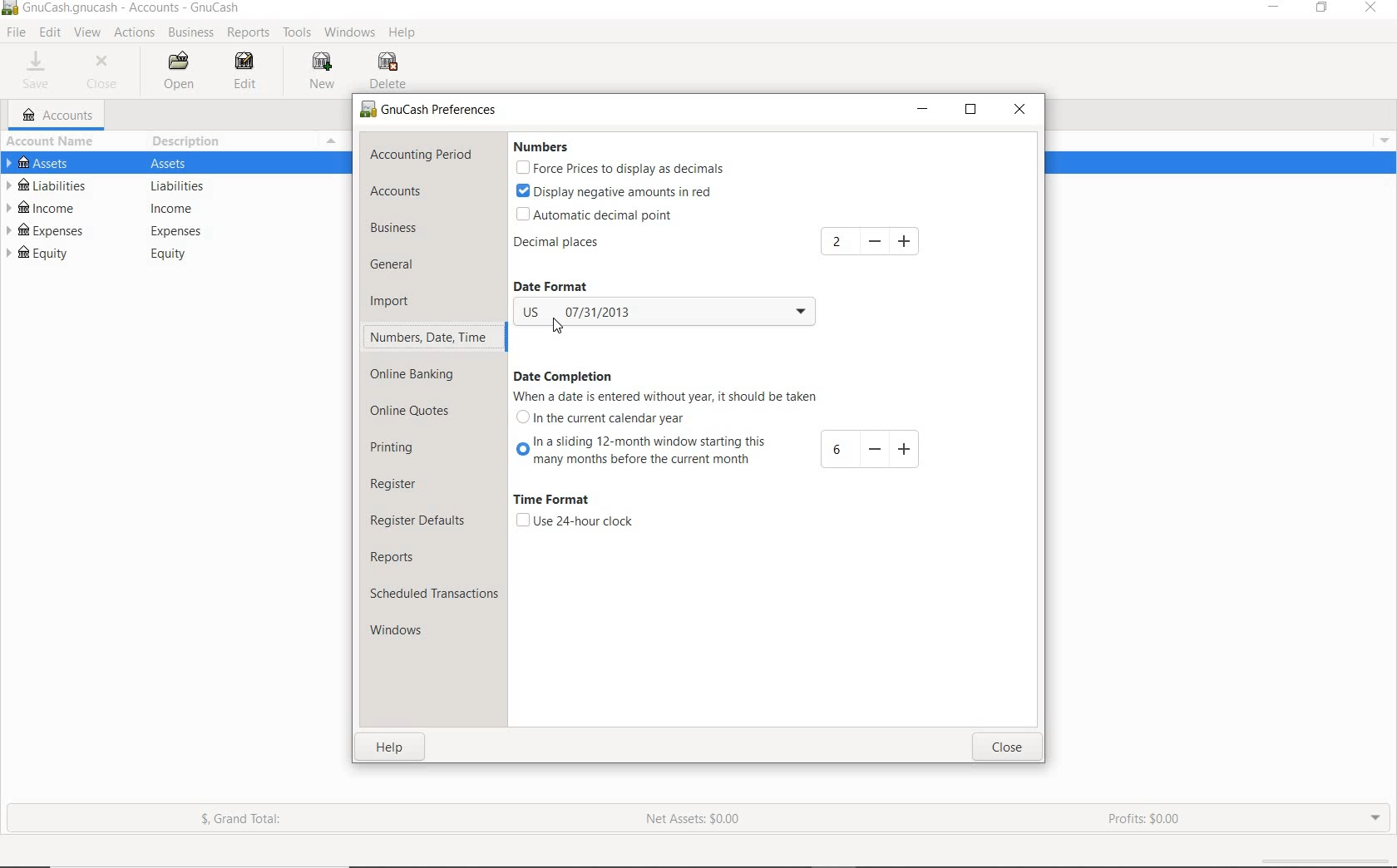 Image resolution: width=1397 pixels, height=868 pixels. What do you see at coordinates (596, 216) in the screenshot?
I see `automatic decimal points` at bounding box center [596, 216].